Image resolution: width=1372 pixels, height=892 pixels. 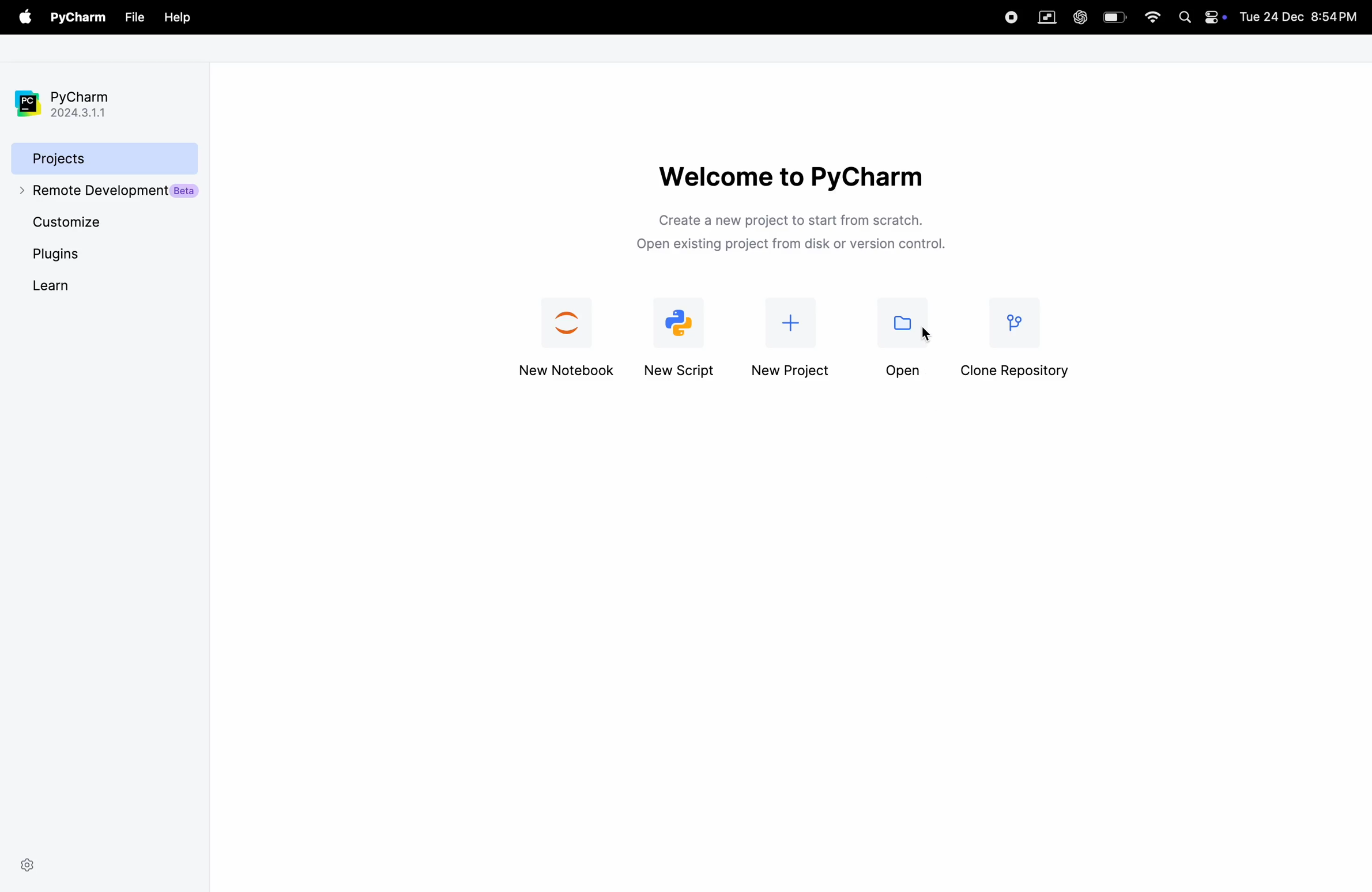 What do you see at coordinates (569, 333) in the screenshot?
I see `new notebook` at bounding box center [569, 333].